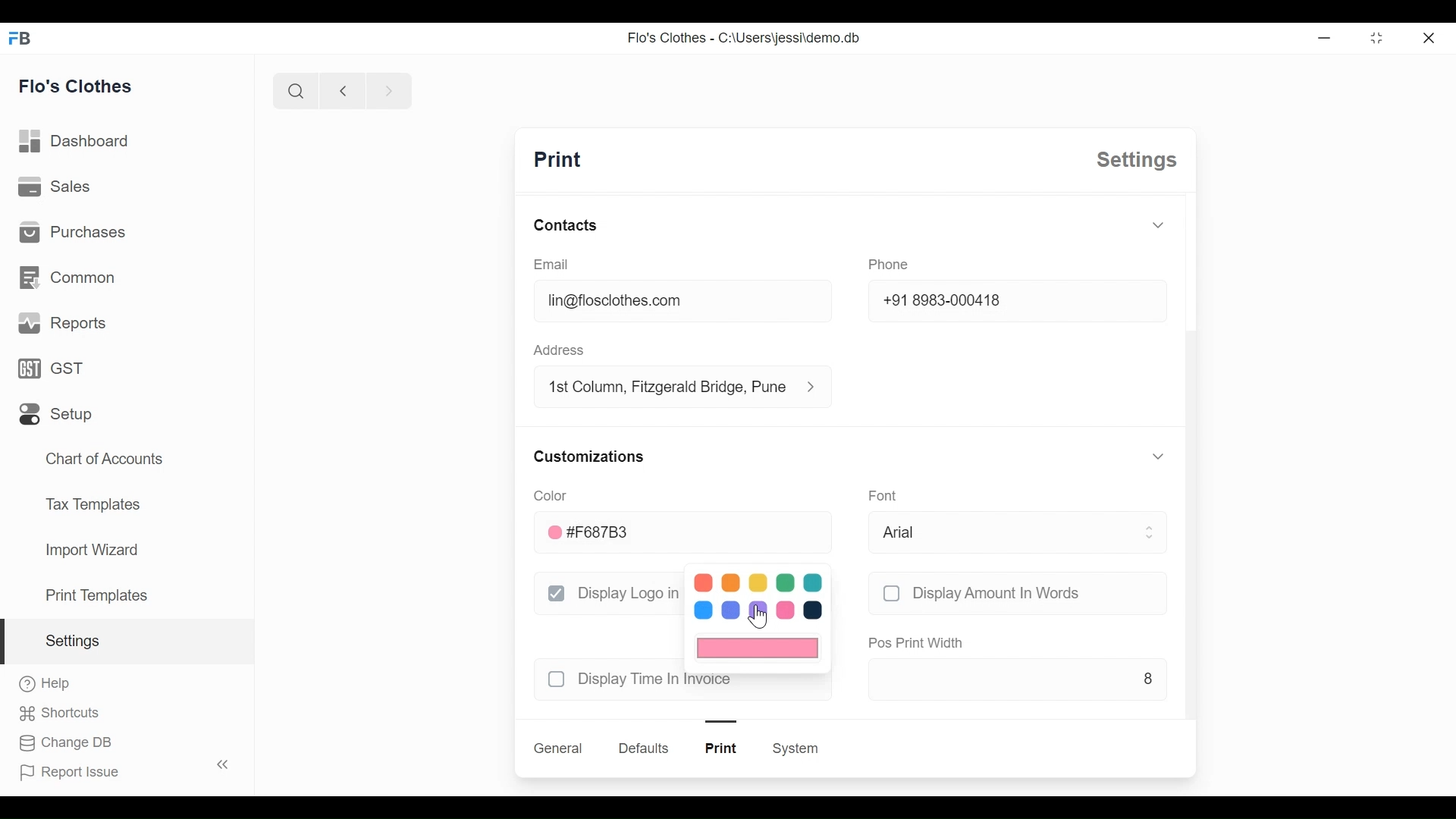 The height and width of the screenshot is (819, 1456). Describe the element at coordinates (722, 748) in the screenshot. I see `print` at that location.